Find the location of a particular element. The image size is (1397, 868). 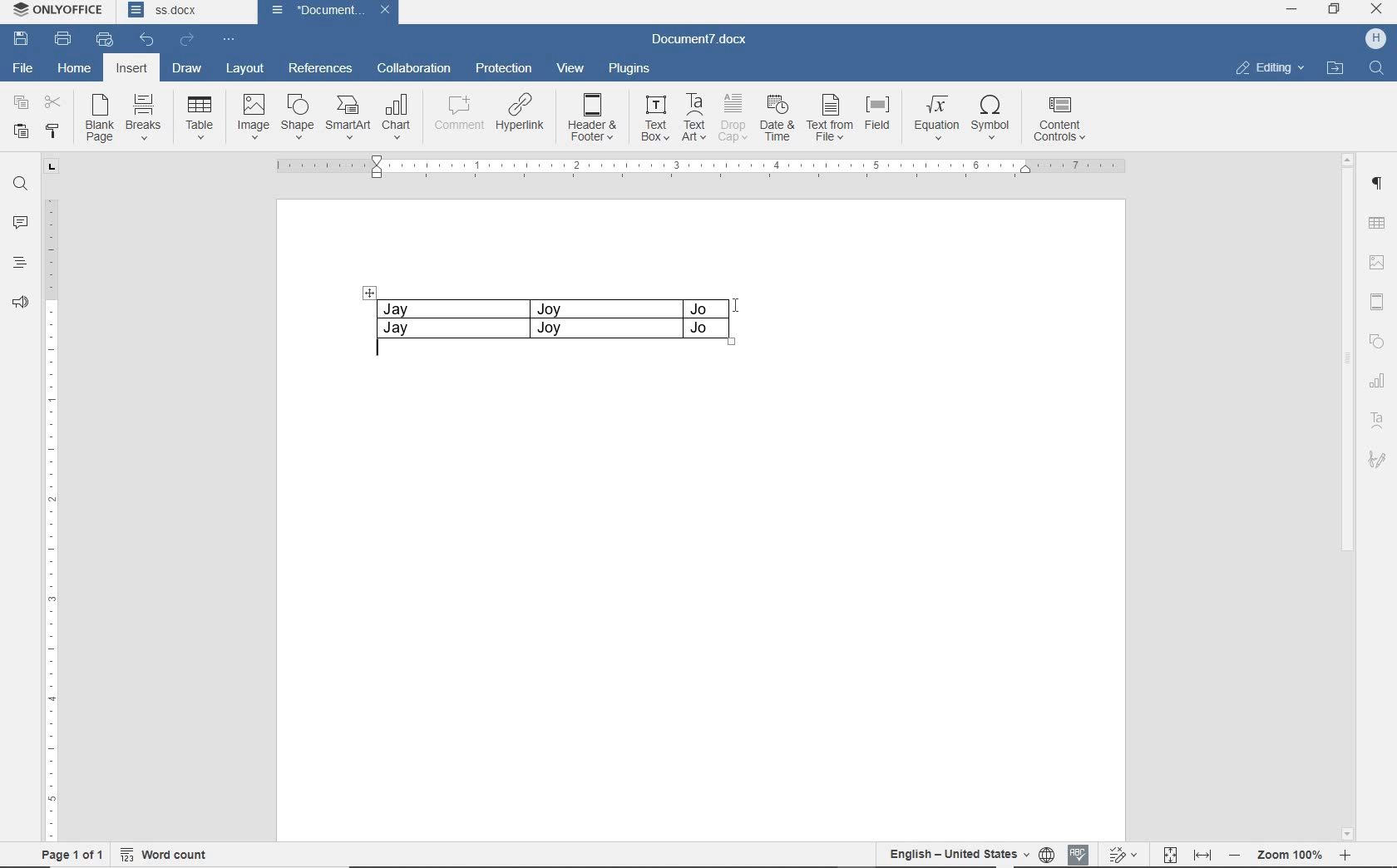

FIND is located at coordinates (20, 186).